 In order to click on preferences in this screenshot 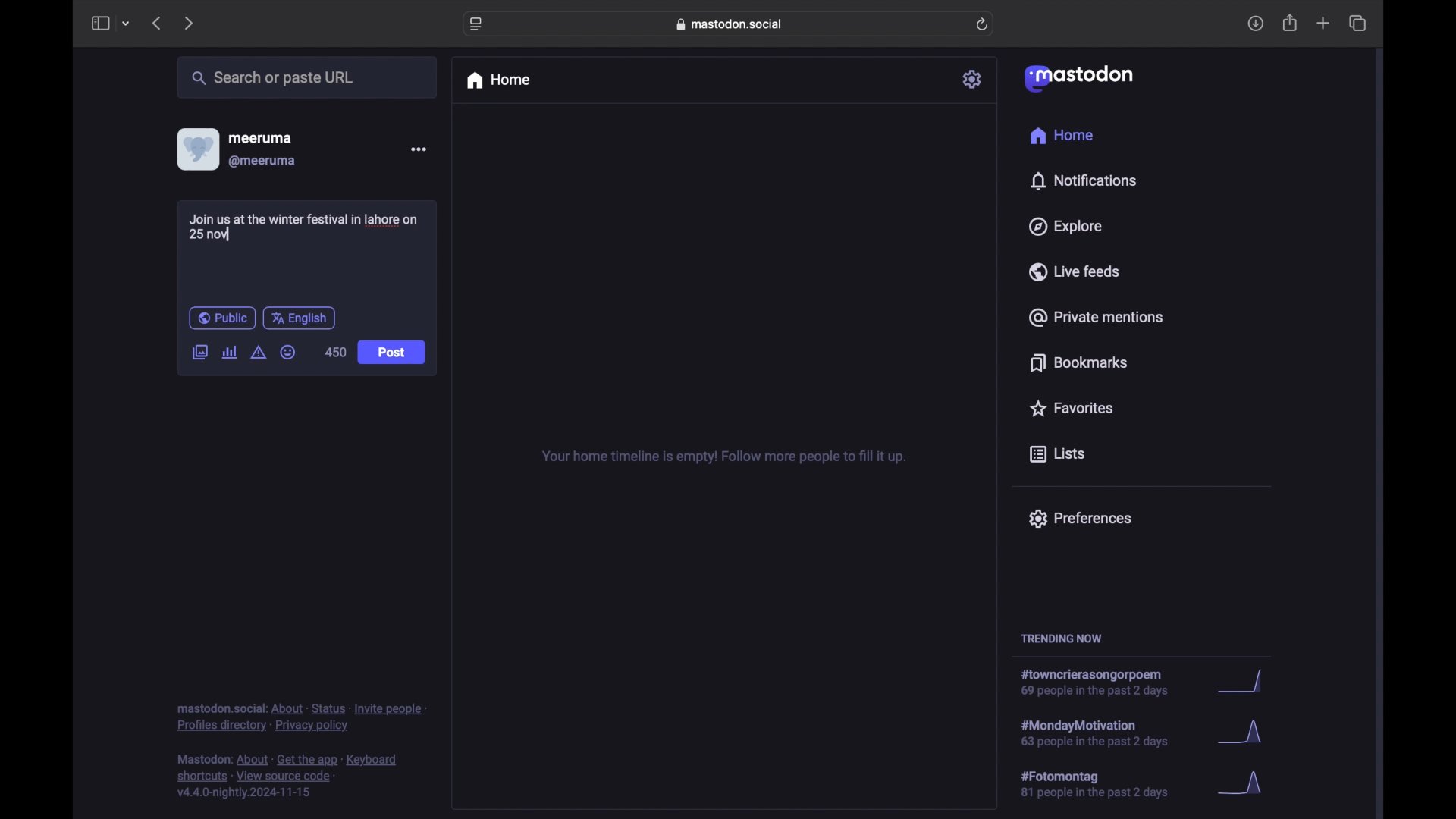, I will do `click(1079, 517)`.